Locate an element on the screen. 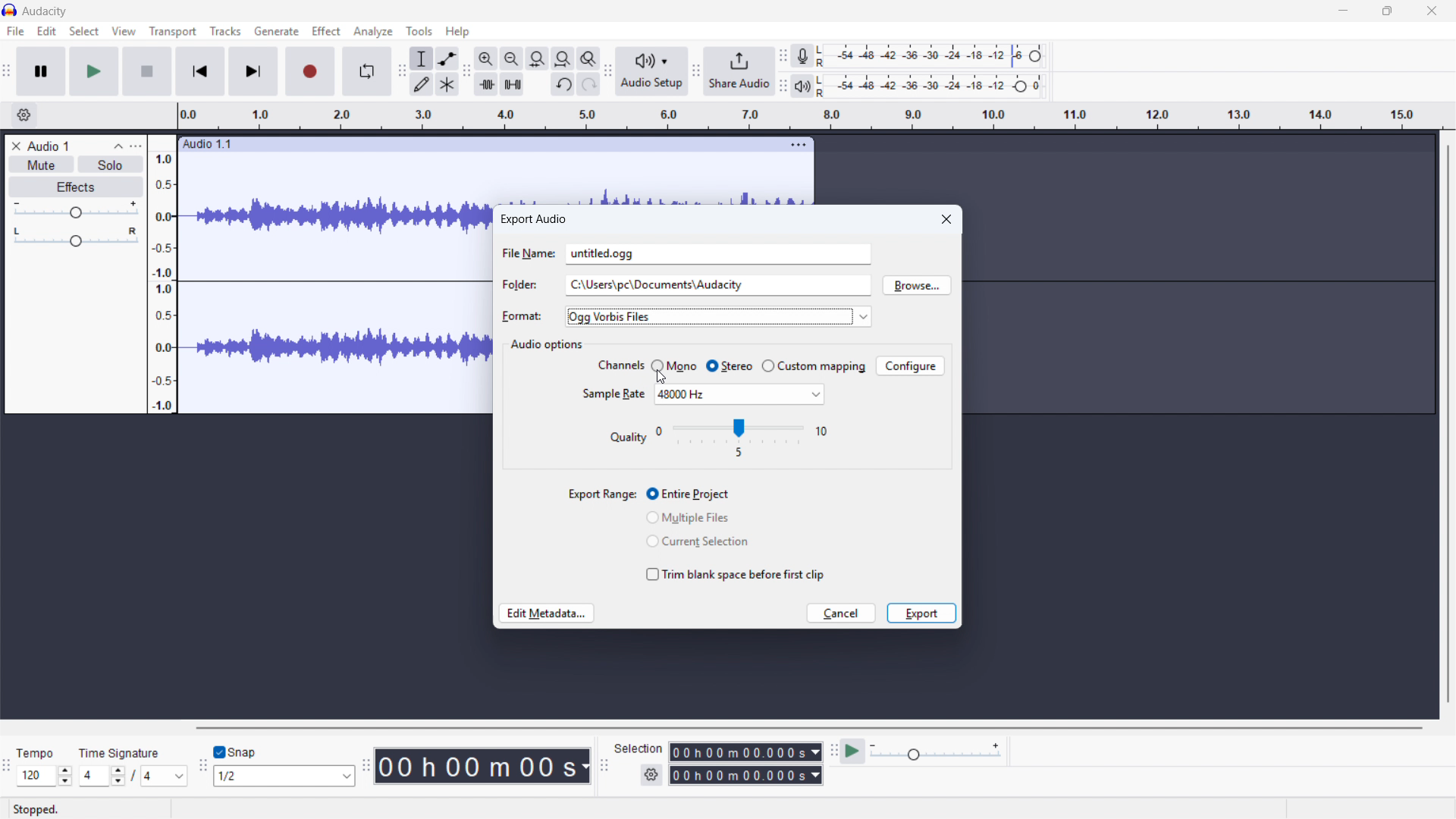 The image size is (1456, 819). Selection settings  is located at coordinates (651, 774).